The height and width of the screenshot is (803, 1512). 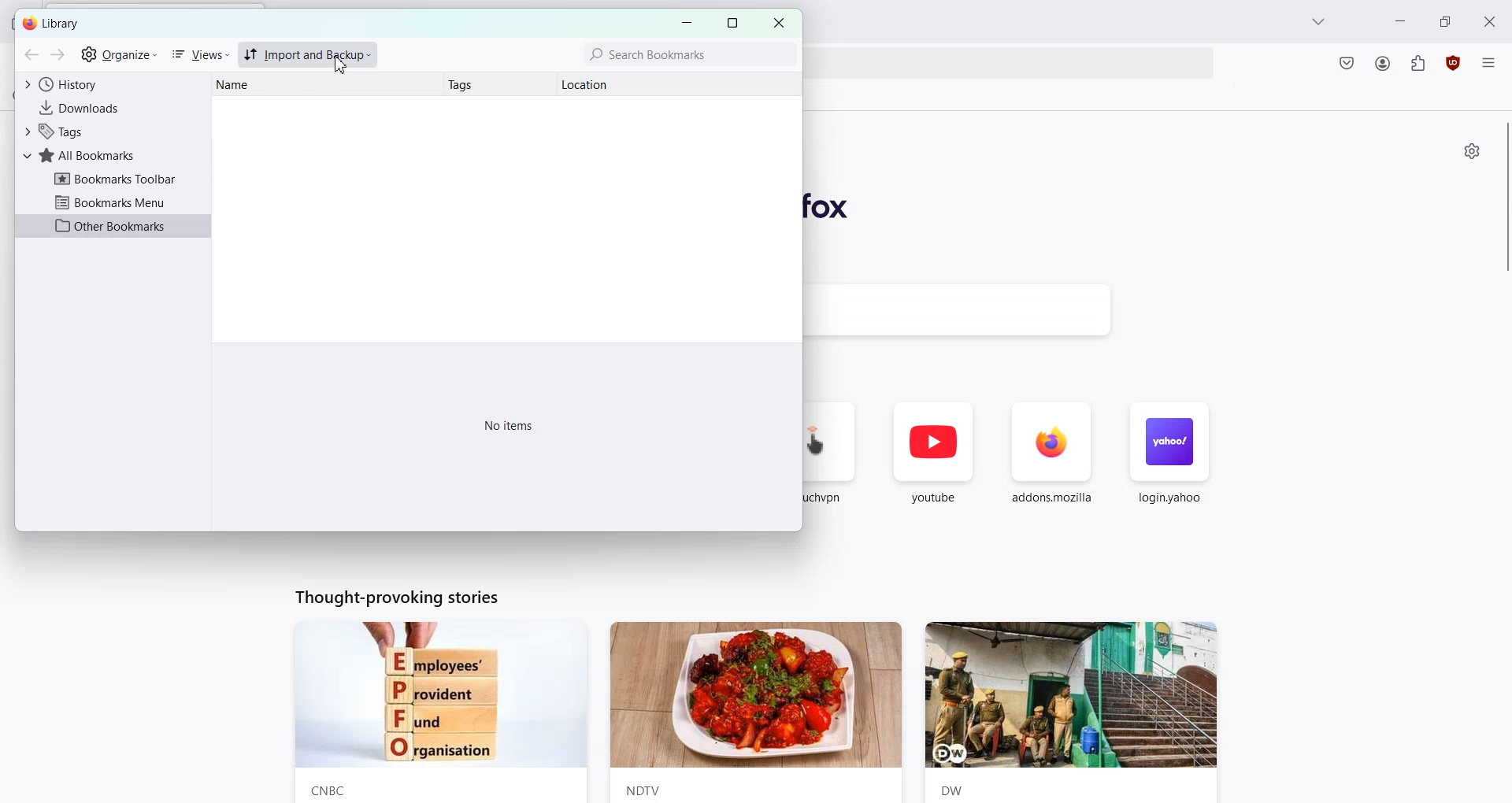 I want to click on Extensions, so click(x=1418, y=63).